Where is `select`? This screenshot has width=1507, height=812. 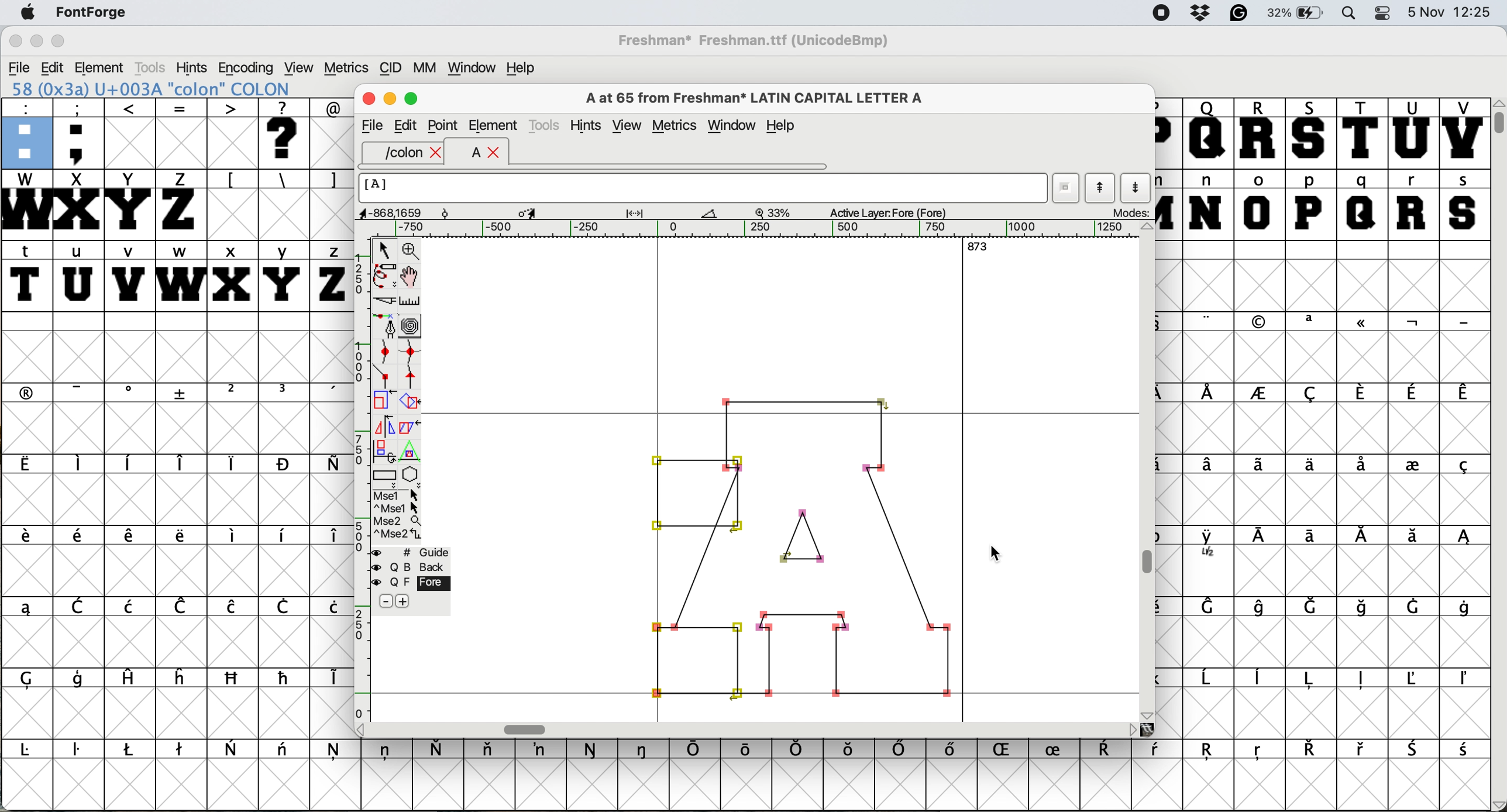 select is located at coordinates (382, 250).